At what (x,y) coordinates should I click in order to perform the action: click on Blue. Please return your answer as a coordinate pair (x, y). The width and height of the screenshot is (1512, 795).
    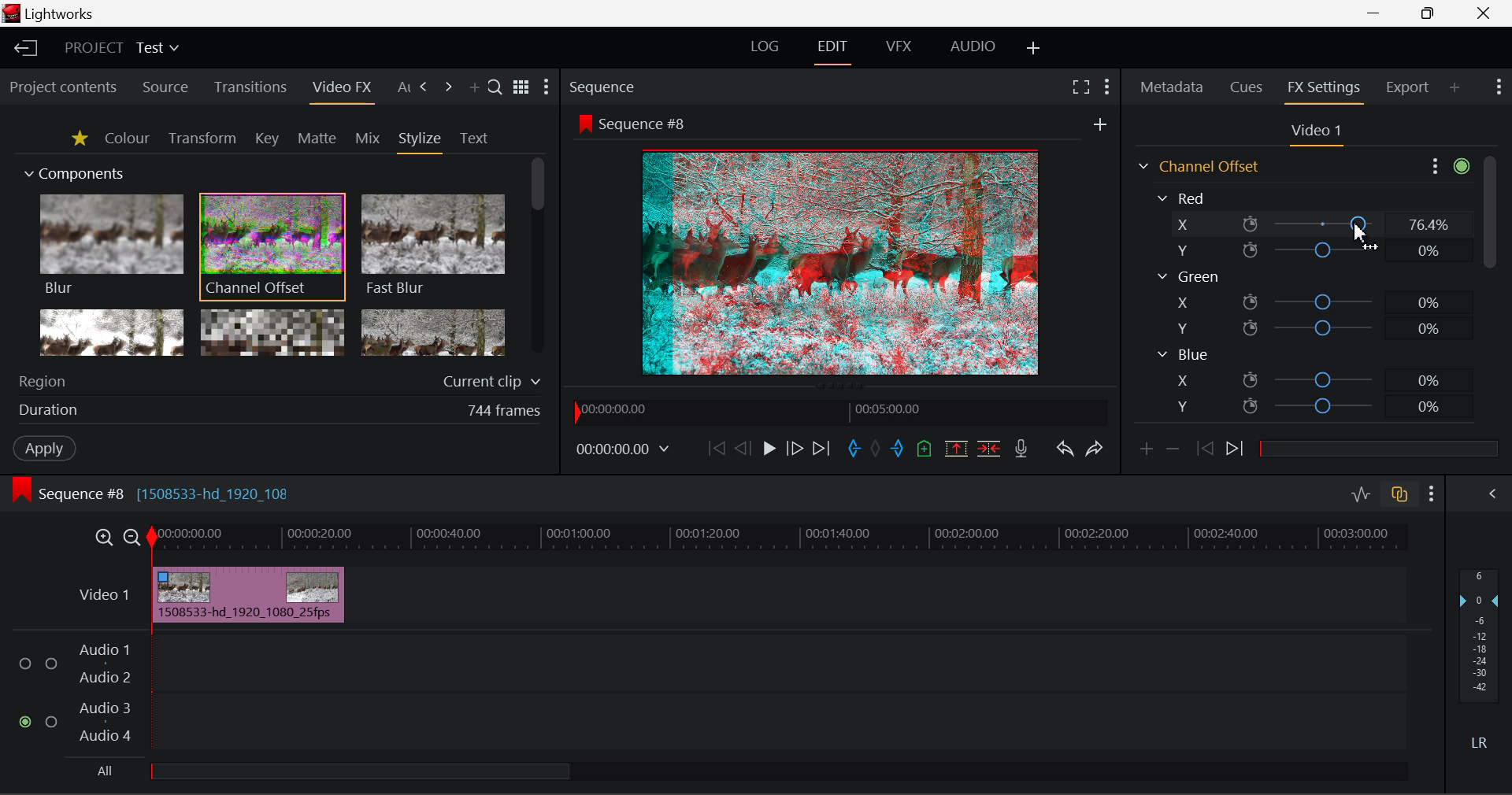
    Looking at the image, I should click on (1183, 355).